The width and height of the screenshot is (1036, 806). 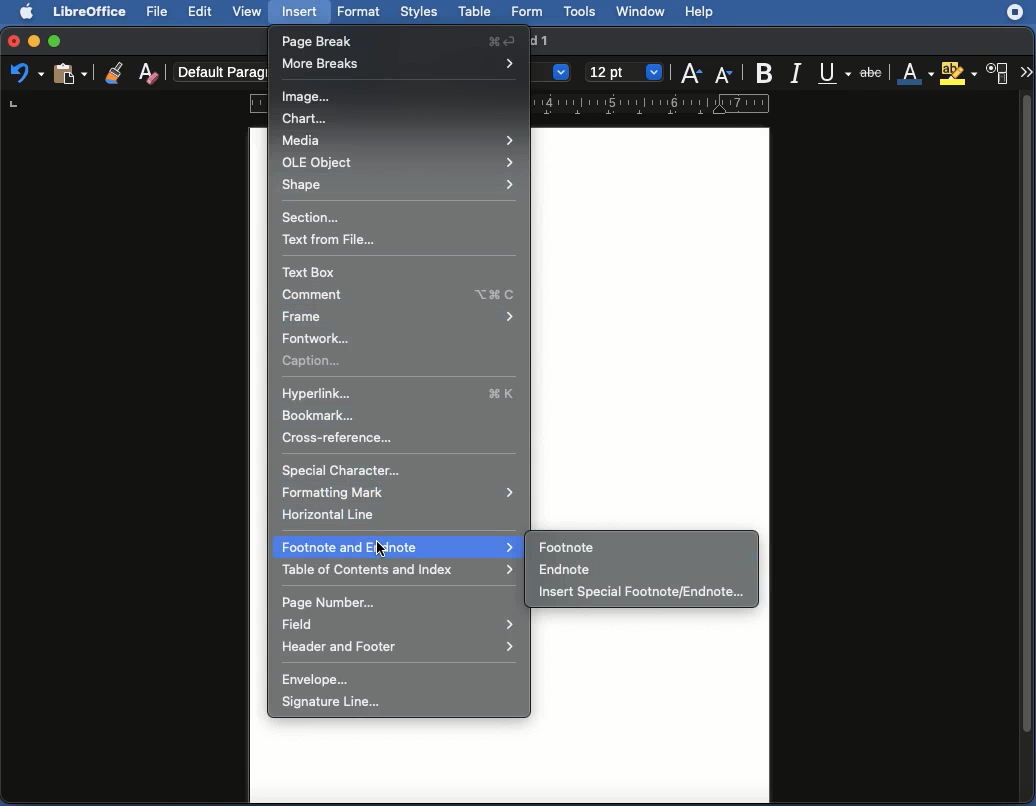 I want to click on styles, so click(x=418, y=13).